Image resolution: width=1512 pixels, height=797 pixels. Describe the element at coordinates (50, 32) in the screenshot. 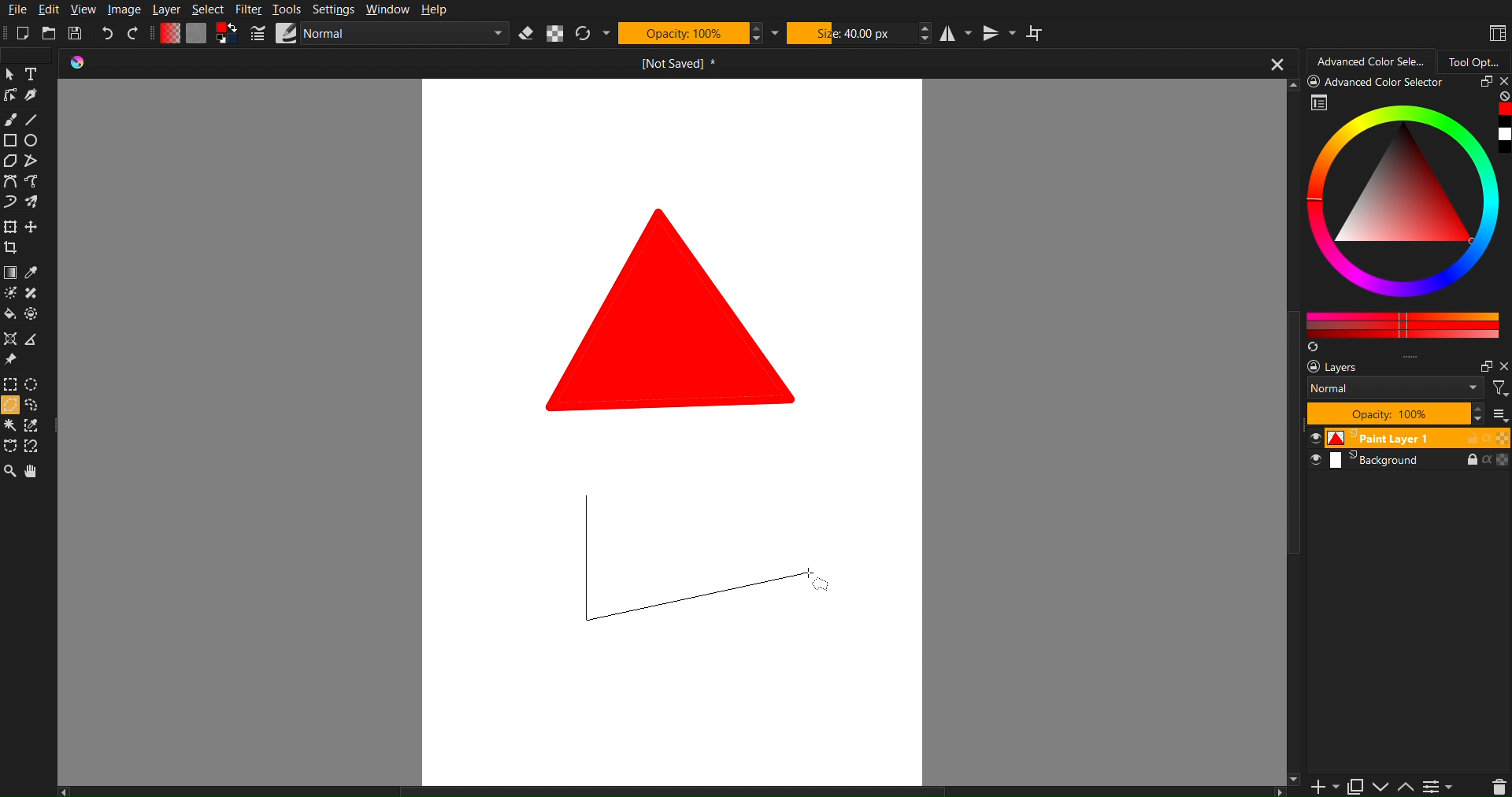

I see `Open` at that location.